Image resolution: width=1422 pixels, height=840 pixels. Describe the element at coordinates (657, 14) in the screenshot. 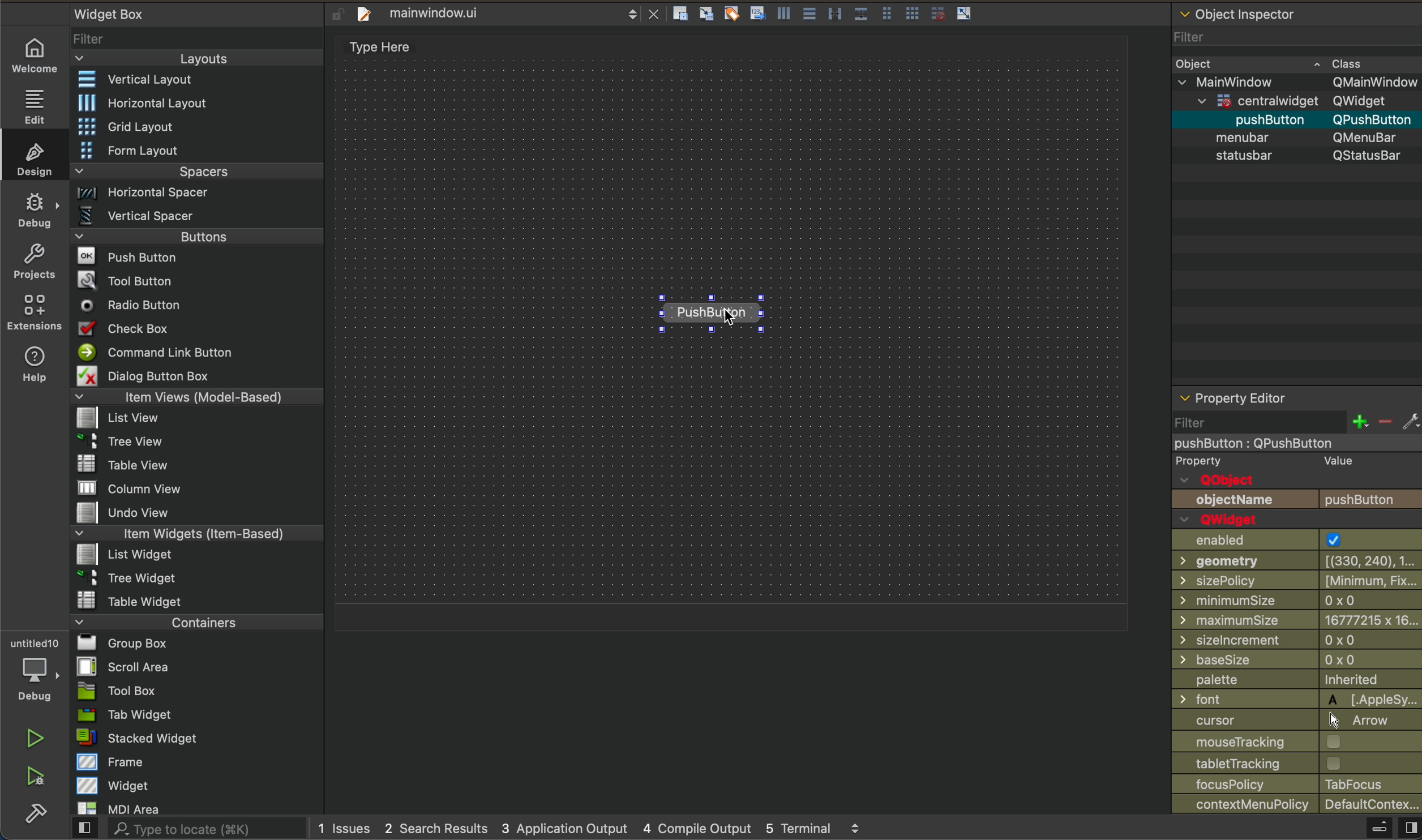

I see `close` at that location.